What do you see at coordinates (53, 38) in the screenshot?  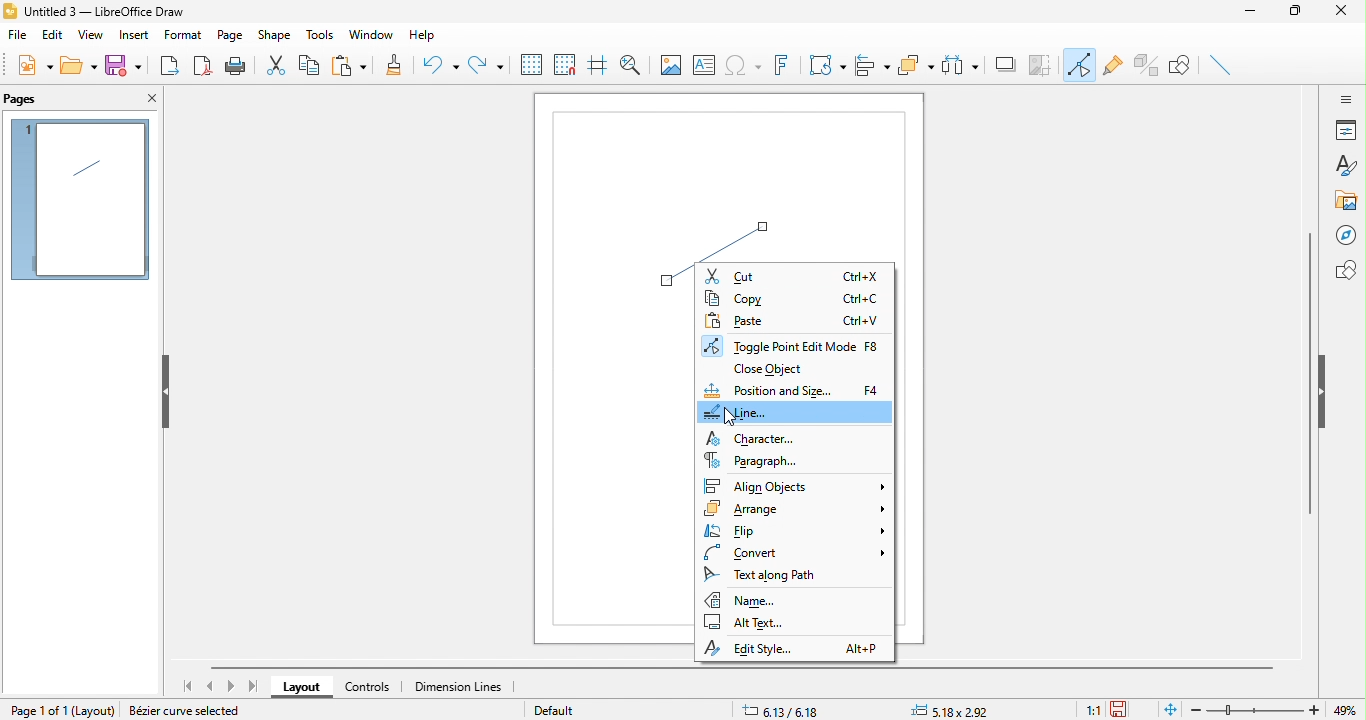 I see `edit` at bounding box center [53, 38].